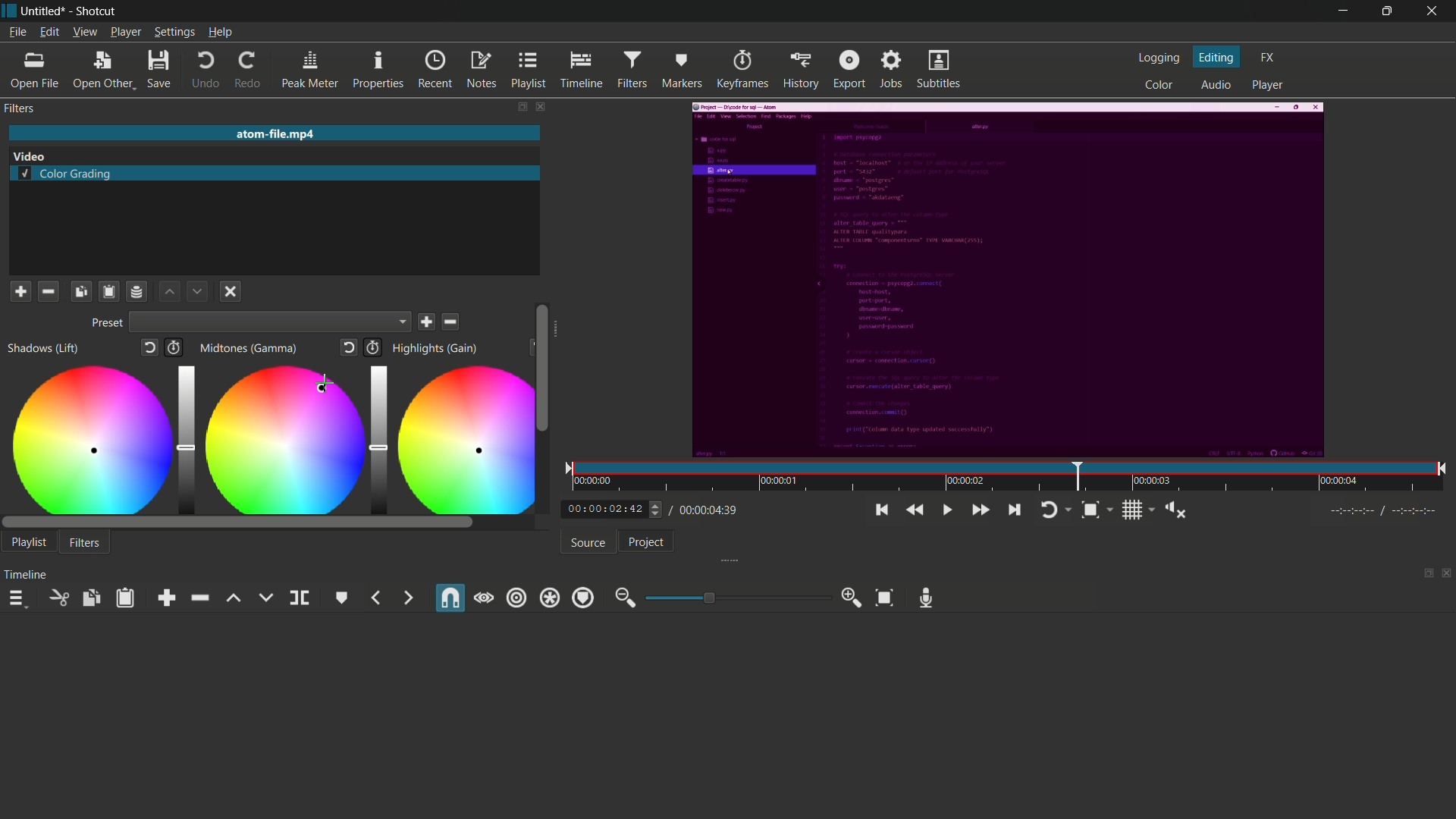 Image resolution: width=1456 pixels, height=819 pixels. What do you see at coordinates (171, 292) in the screenshot?
I see `Up` at bounding box center [171, 292].